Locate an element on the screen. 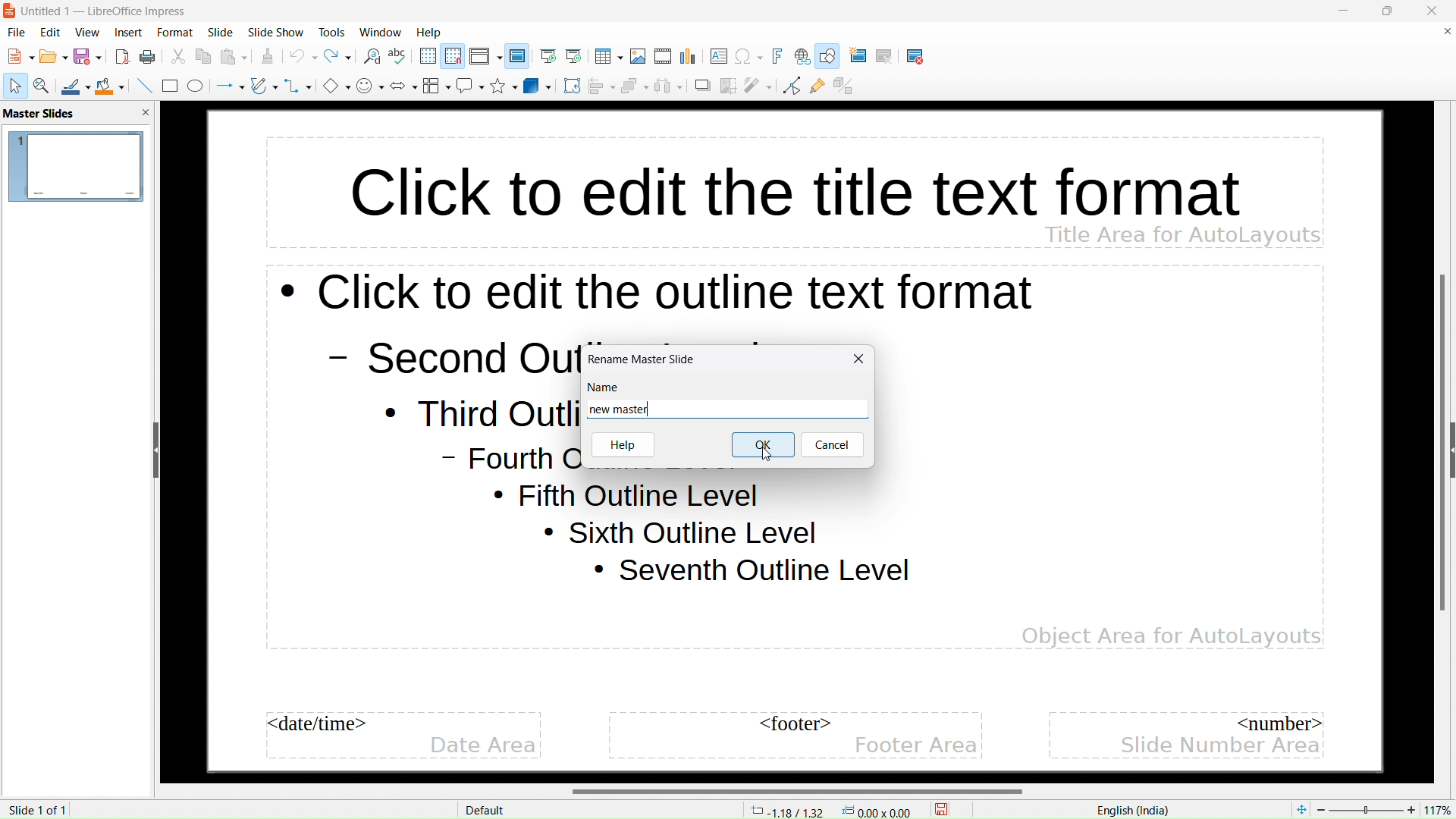 The width and height of the screenshot is (1456, 819). master slide is located at coordinates (518, 56).